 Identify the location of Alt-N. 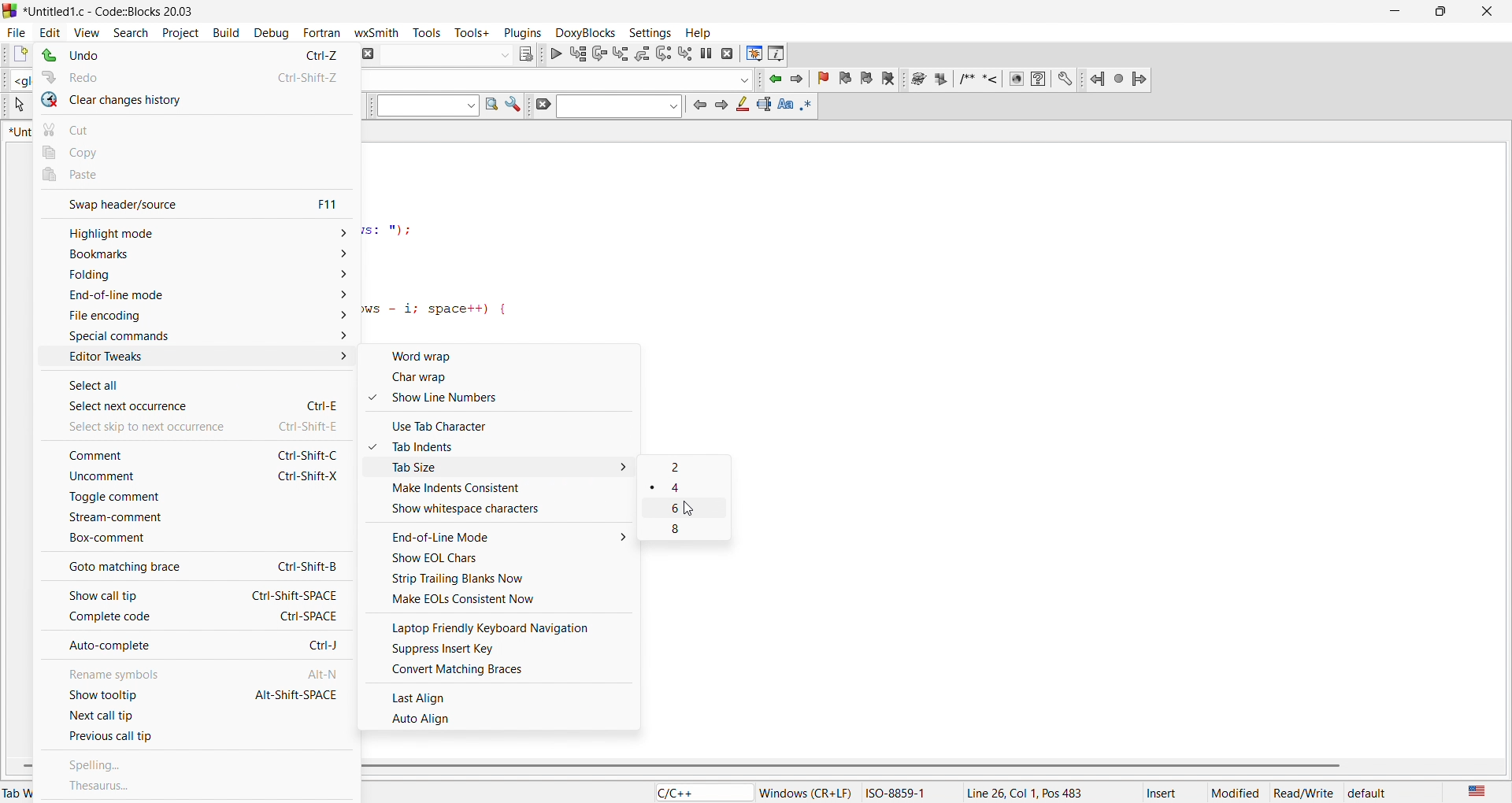
(323, 673).